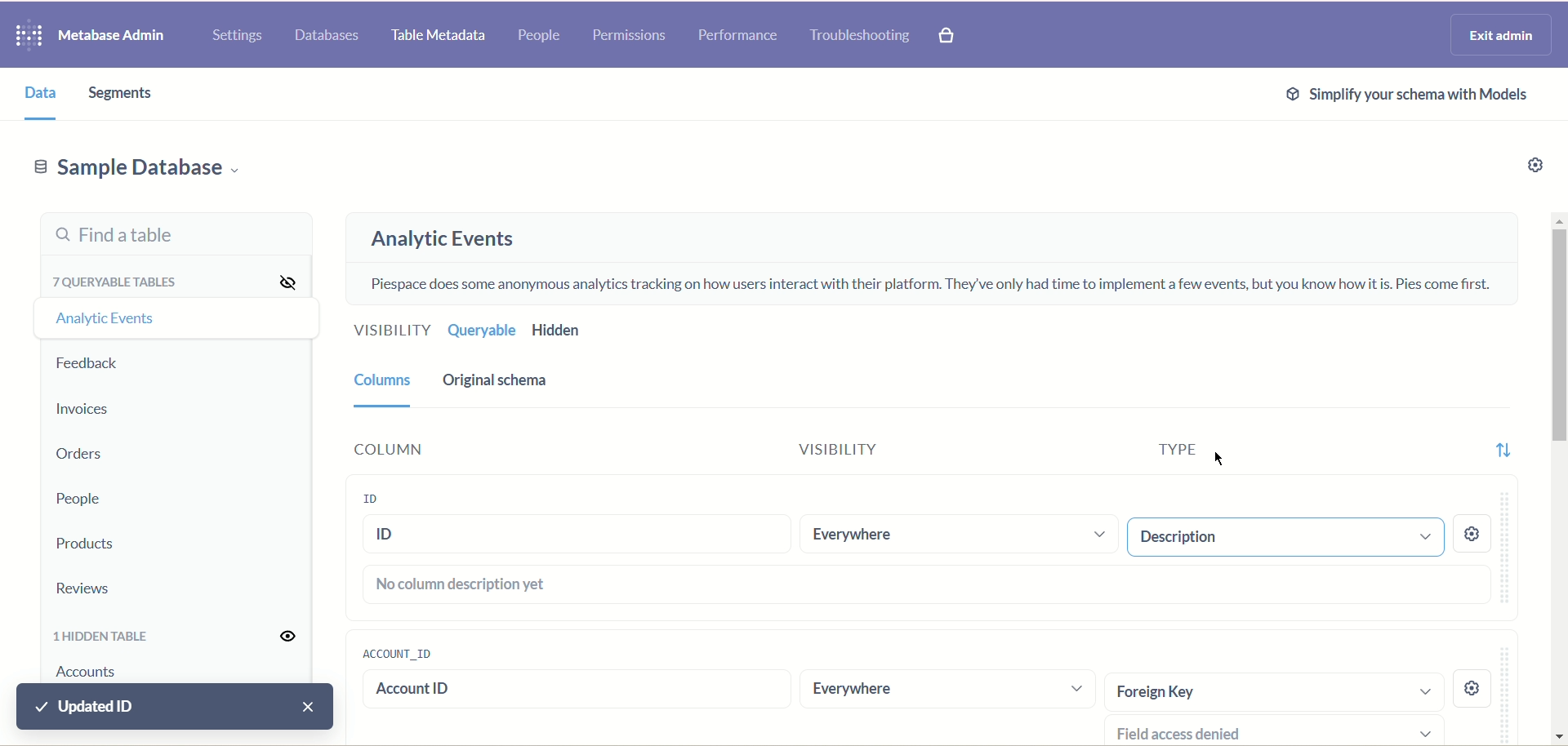 The image size is (1568, 746). Describe the element at coordinates (237, 37) in the screenshot. I see `settings` at that location.